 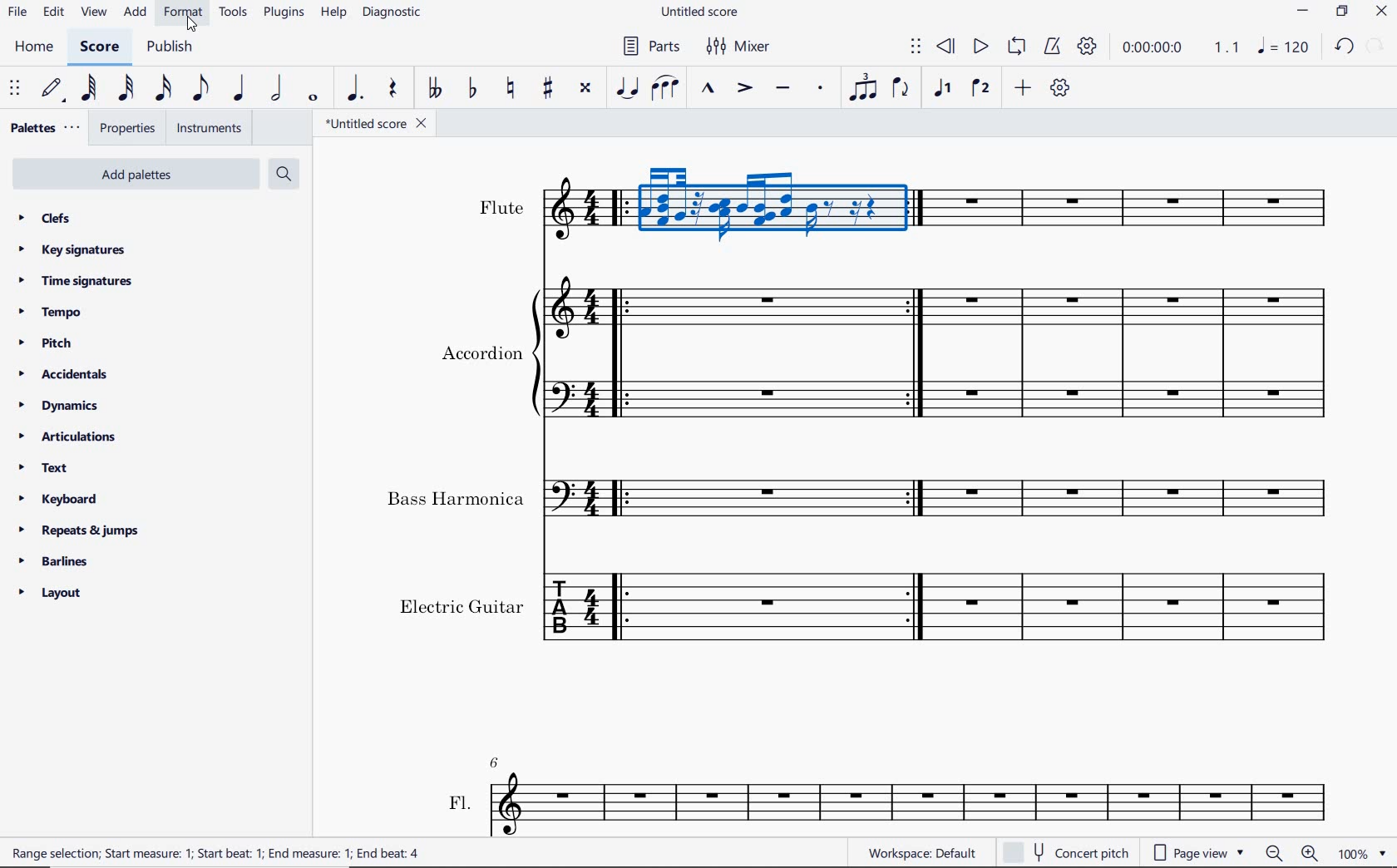 What do you see at coordinates (133, 172) in the screenshot?
I see `add palettes` at bounding box center [133, 172].